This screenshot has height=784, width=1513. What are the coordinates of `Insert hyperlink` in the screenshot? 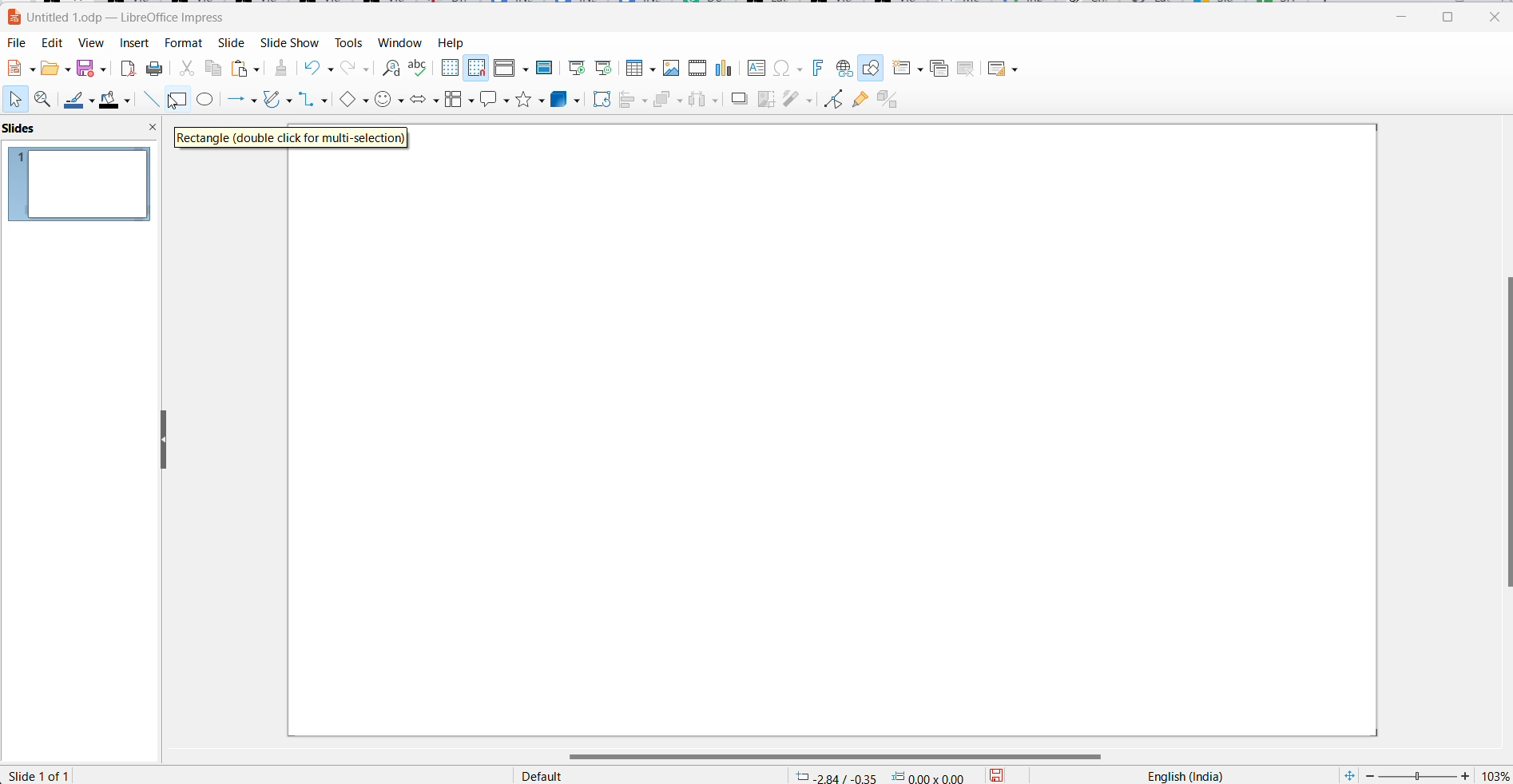 It's located at (842, 69).